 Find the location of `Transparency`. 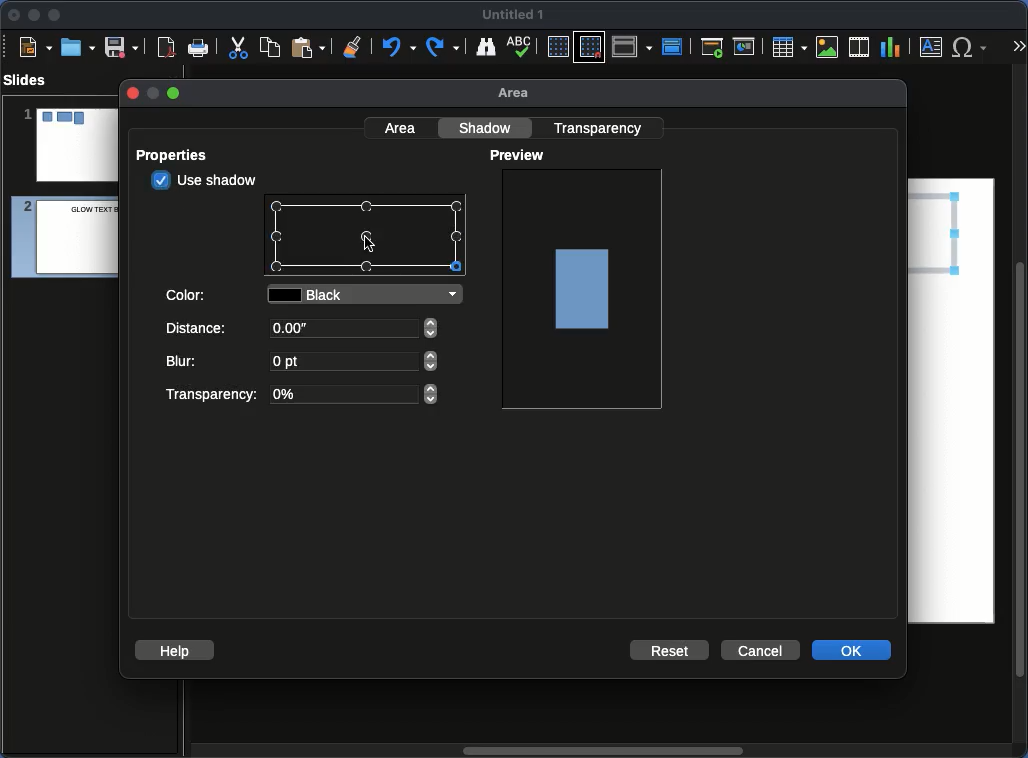

Transparency is located at coordinates (299, 395).